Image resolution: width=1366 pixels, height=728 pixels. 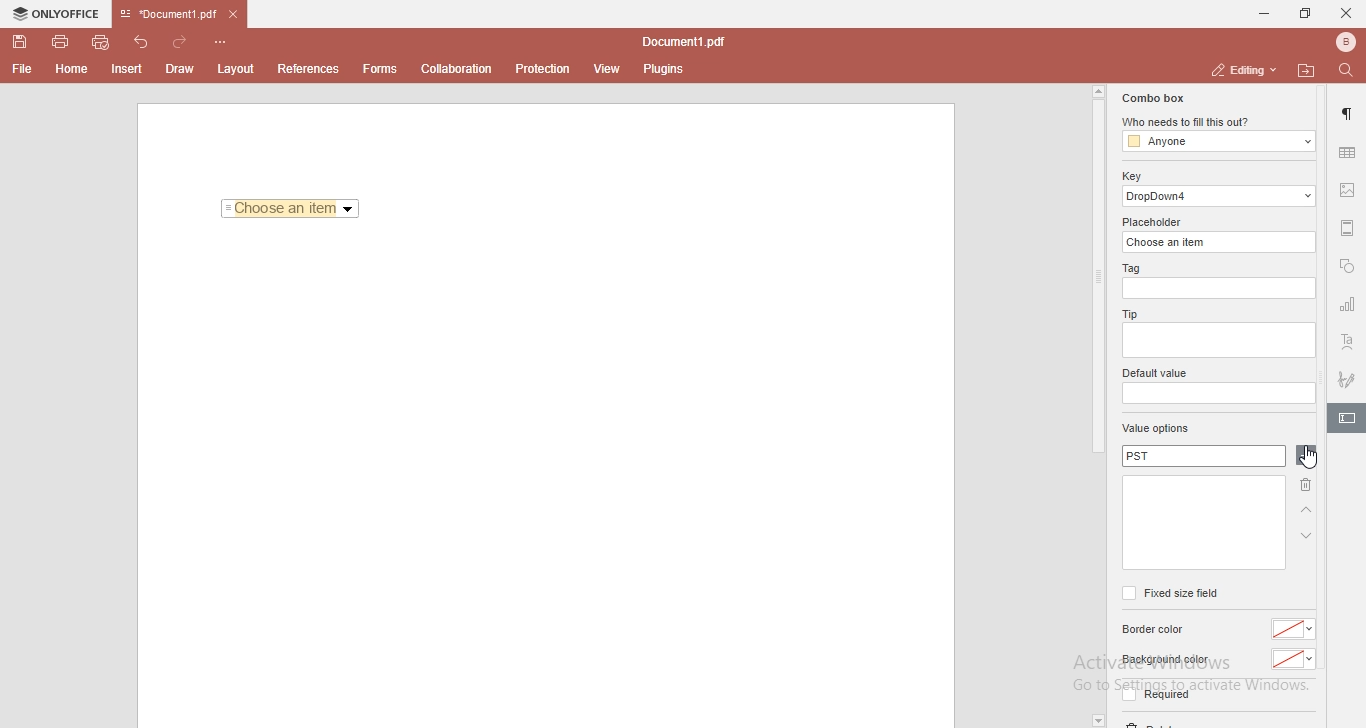 What do you see at coordinates (127, 70) in the screenshot?
I see `Insert` at bounding box center [127, 70].